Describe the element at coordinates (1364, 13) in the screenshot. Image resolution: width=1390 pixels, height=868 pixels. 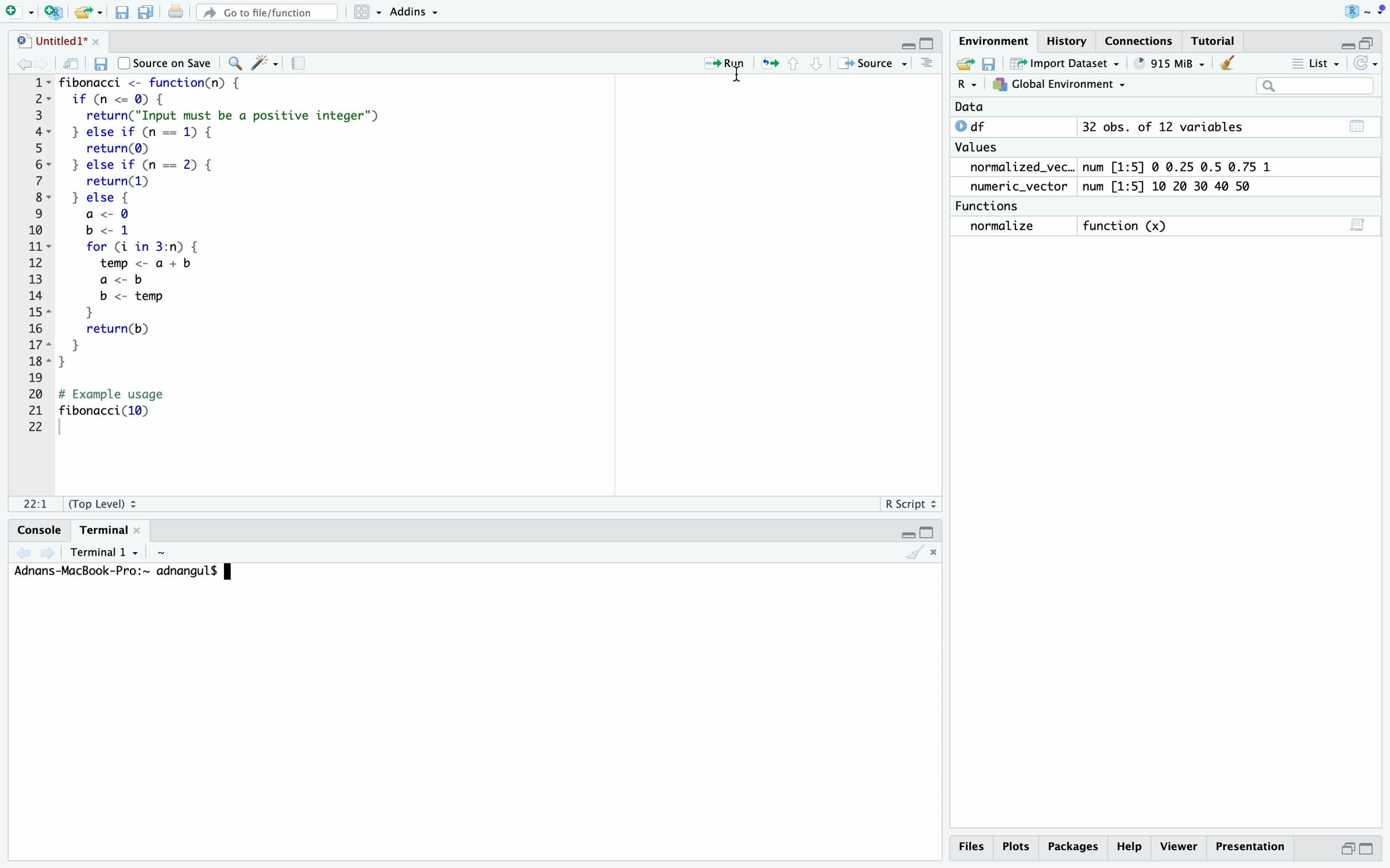
I see `RStudio` at that location.